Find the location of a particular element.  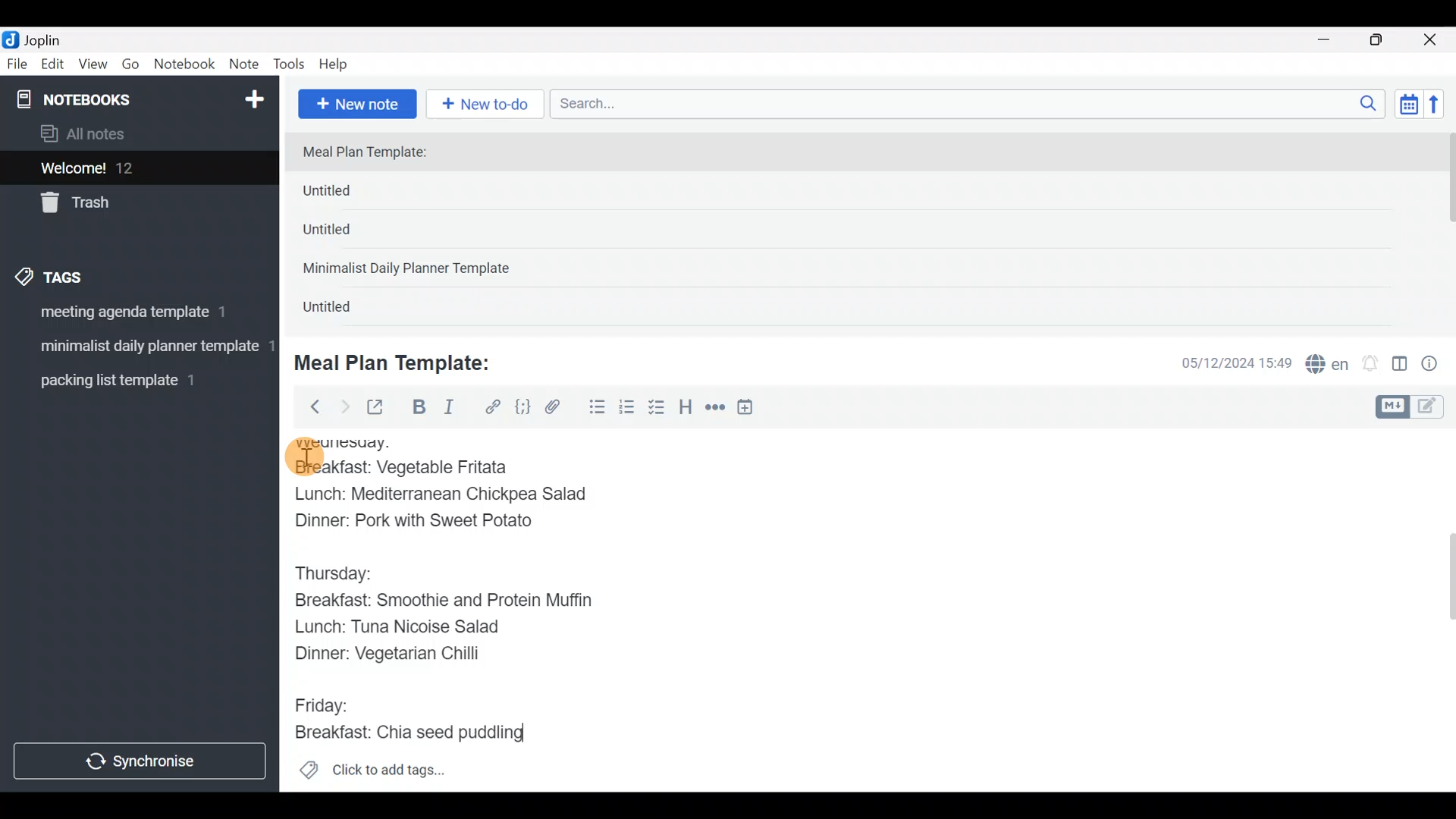

Bulleted list is located at coordinates (594, 408).